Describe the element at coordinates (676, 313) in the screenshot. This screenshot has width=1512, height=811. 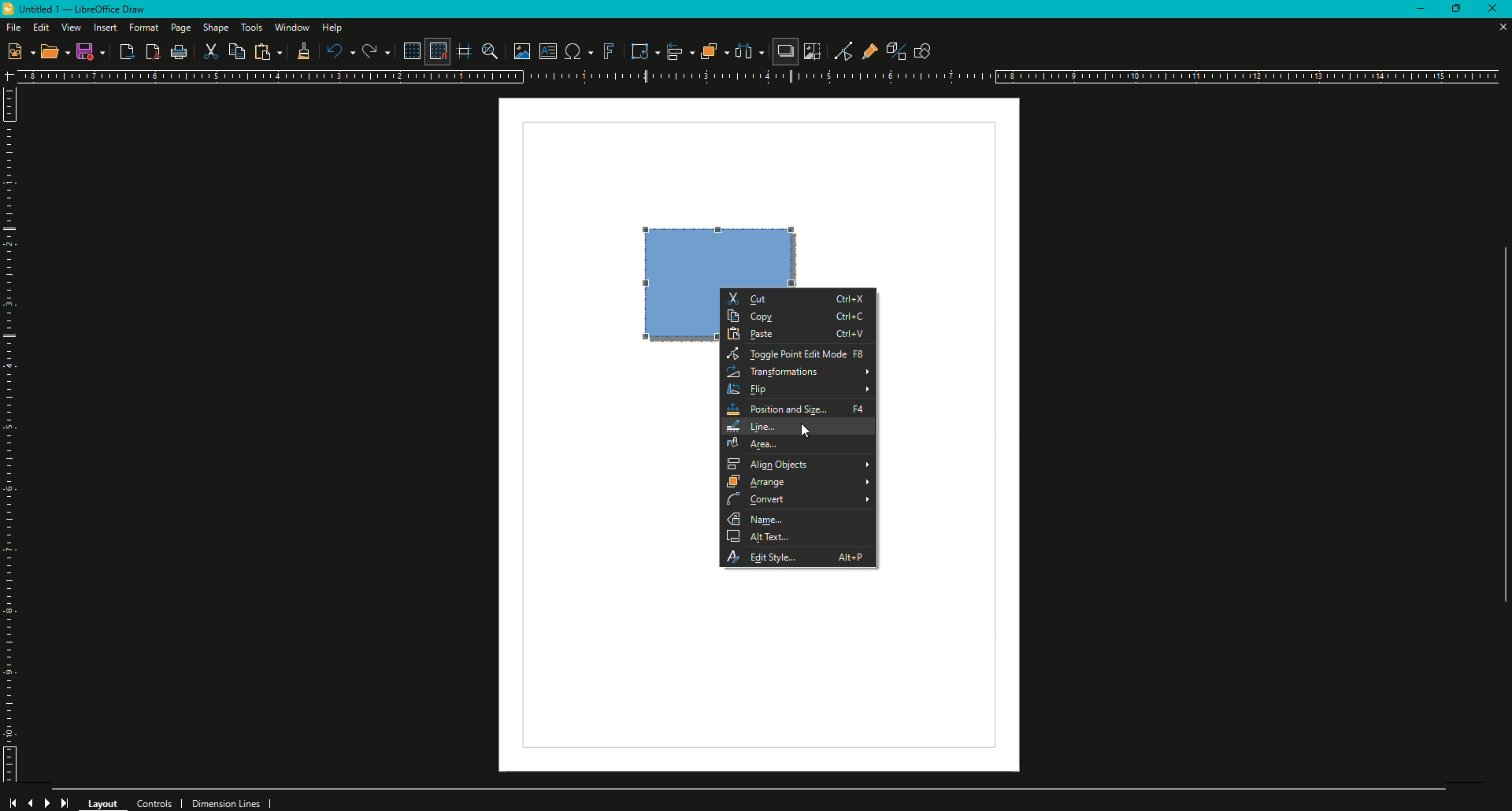
I see `Square` at that location.